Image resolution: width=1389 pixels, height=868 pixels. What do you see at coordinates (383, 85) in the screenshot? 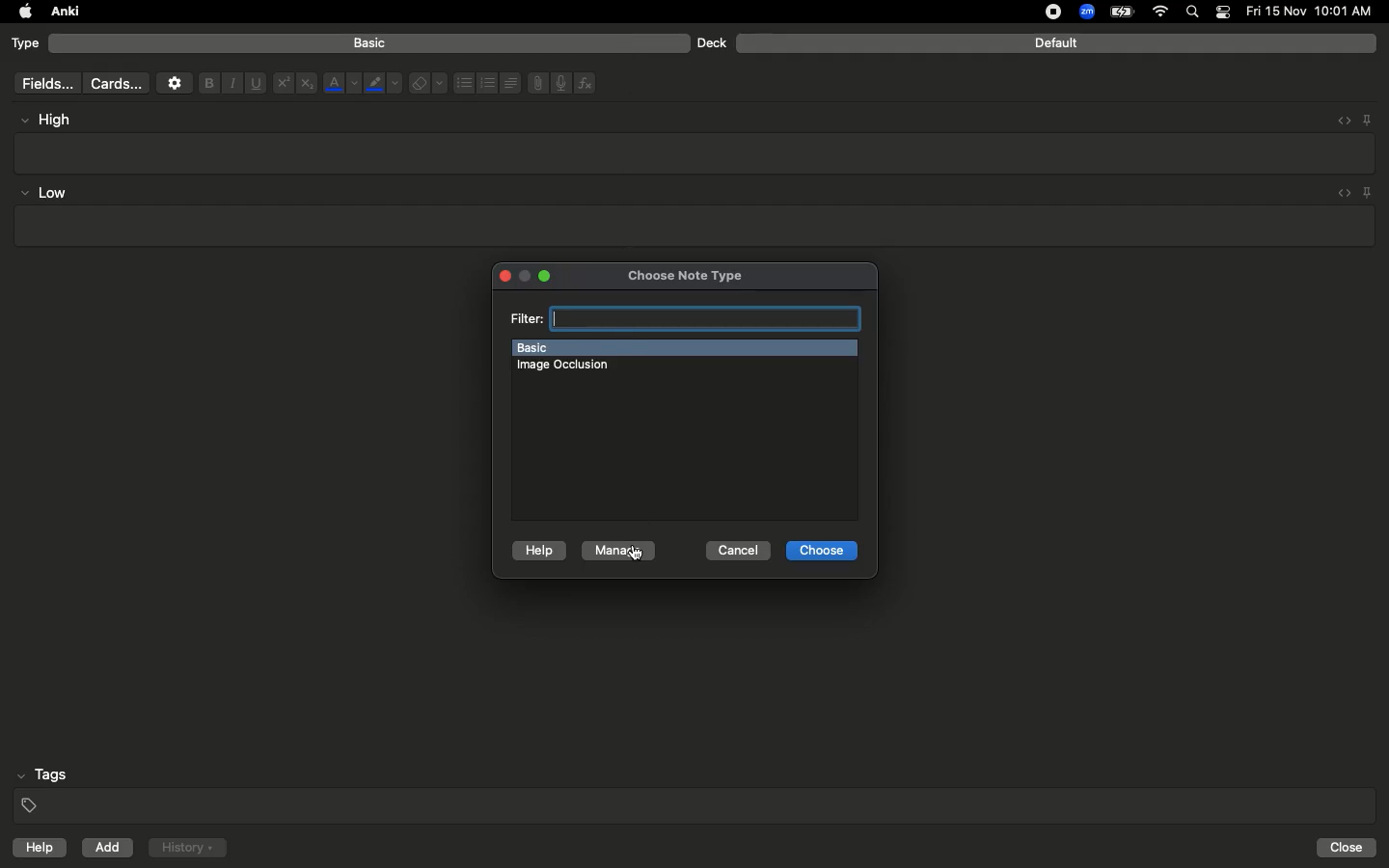
I see `Marker` at bounding box center [383, 85].